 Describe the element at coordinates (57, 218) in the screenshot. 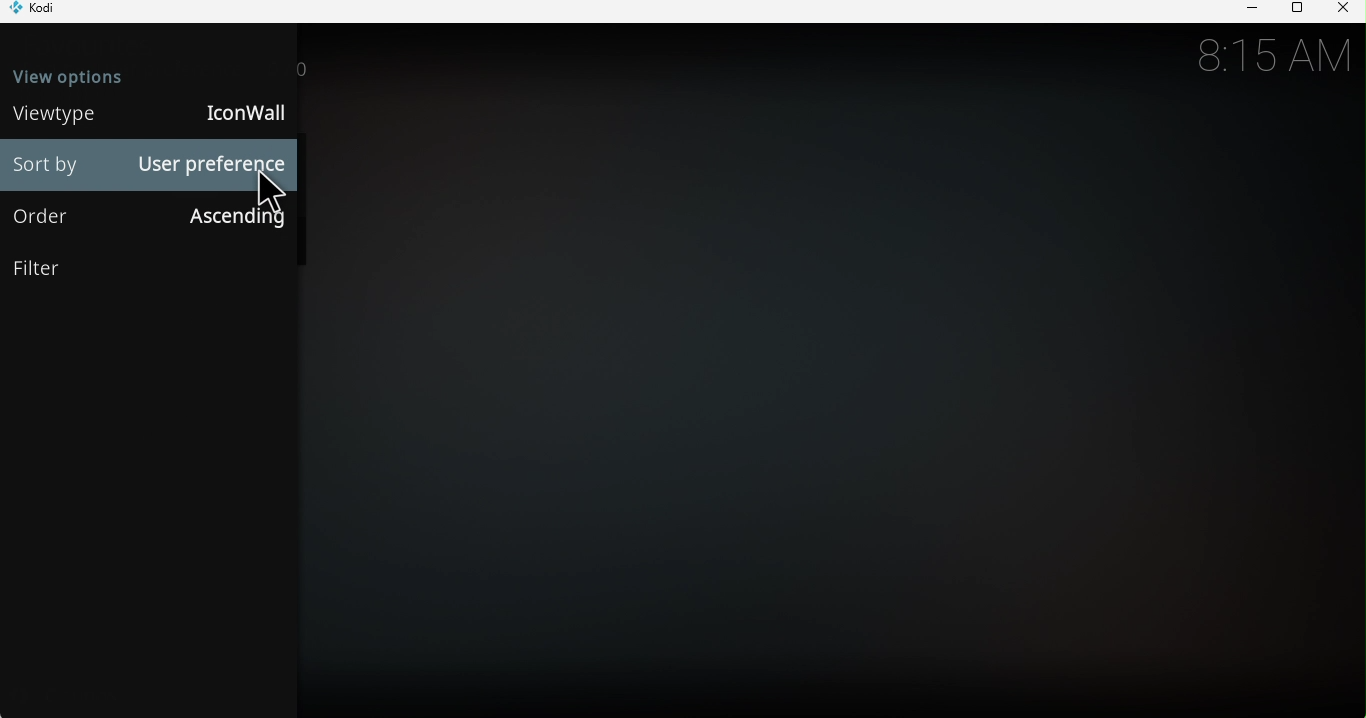

I see `Order` at that location.